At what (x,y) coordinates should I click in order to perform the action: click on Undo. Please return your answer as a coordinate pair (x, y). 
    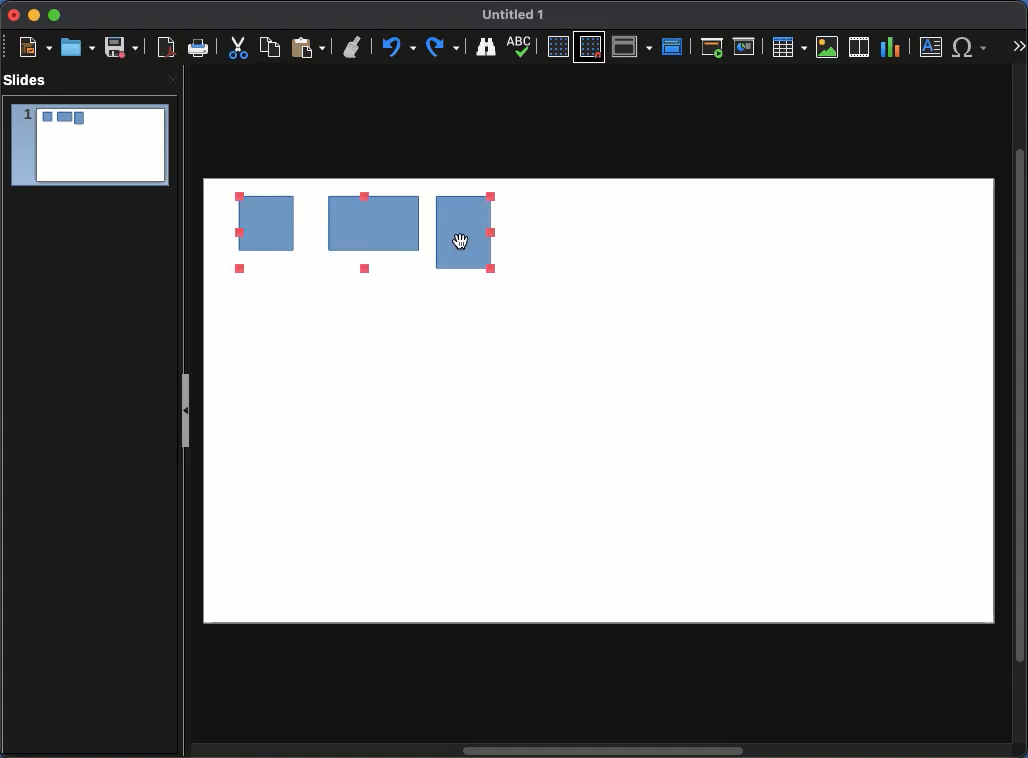
    Looking at the image, I should click on (400, 48).